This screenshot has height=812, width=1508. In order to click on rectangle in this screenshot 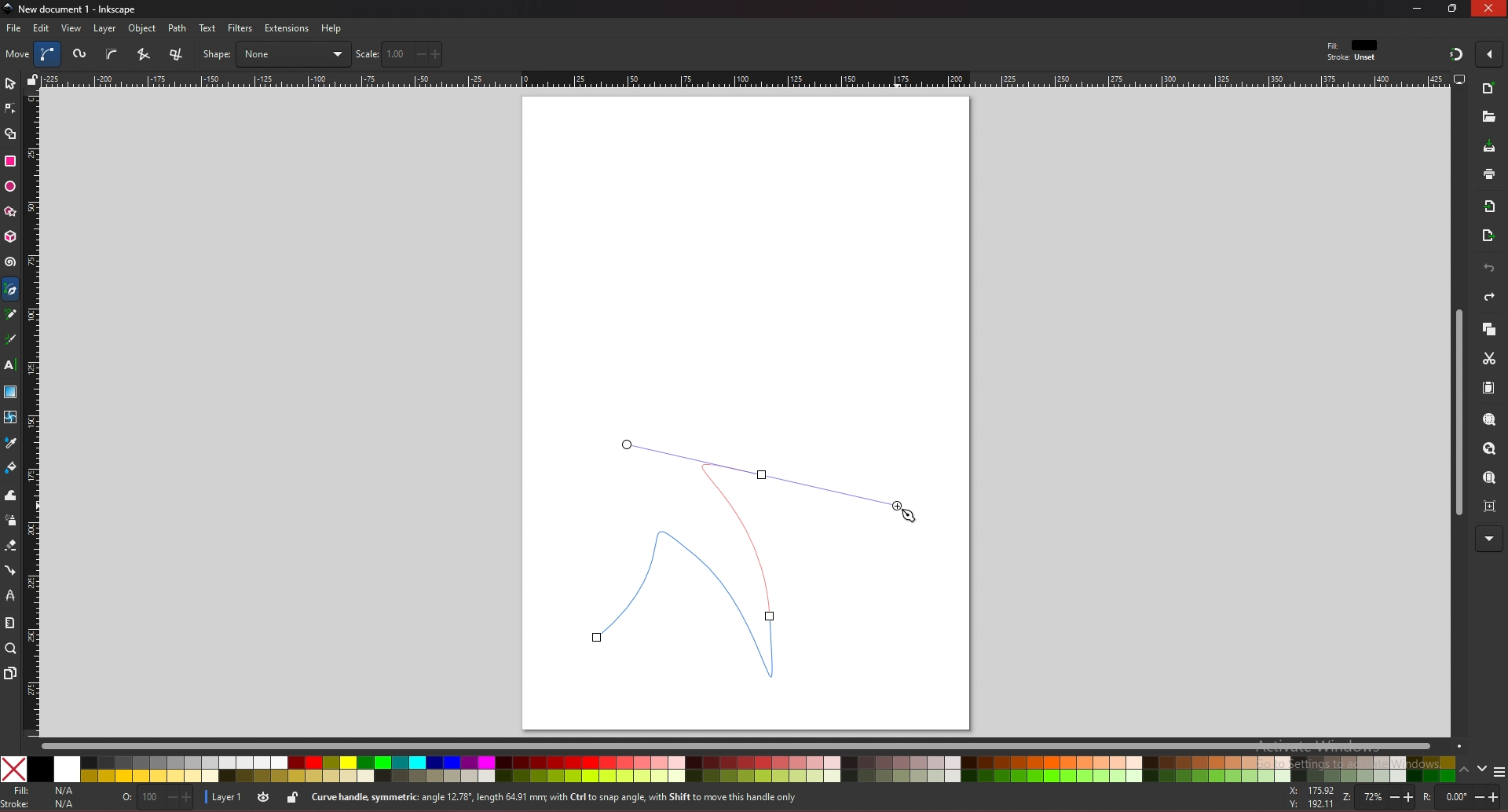, I will do `click(9, 161)`.